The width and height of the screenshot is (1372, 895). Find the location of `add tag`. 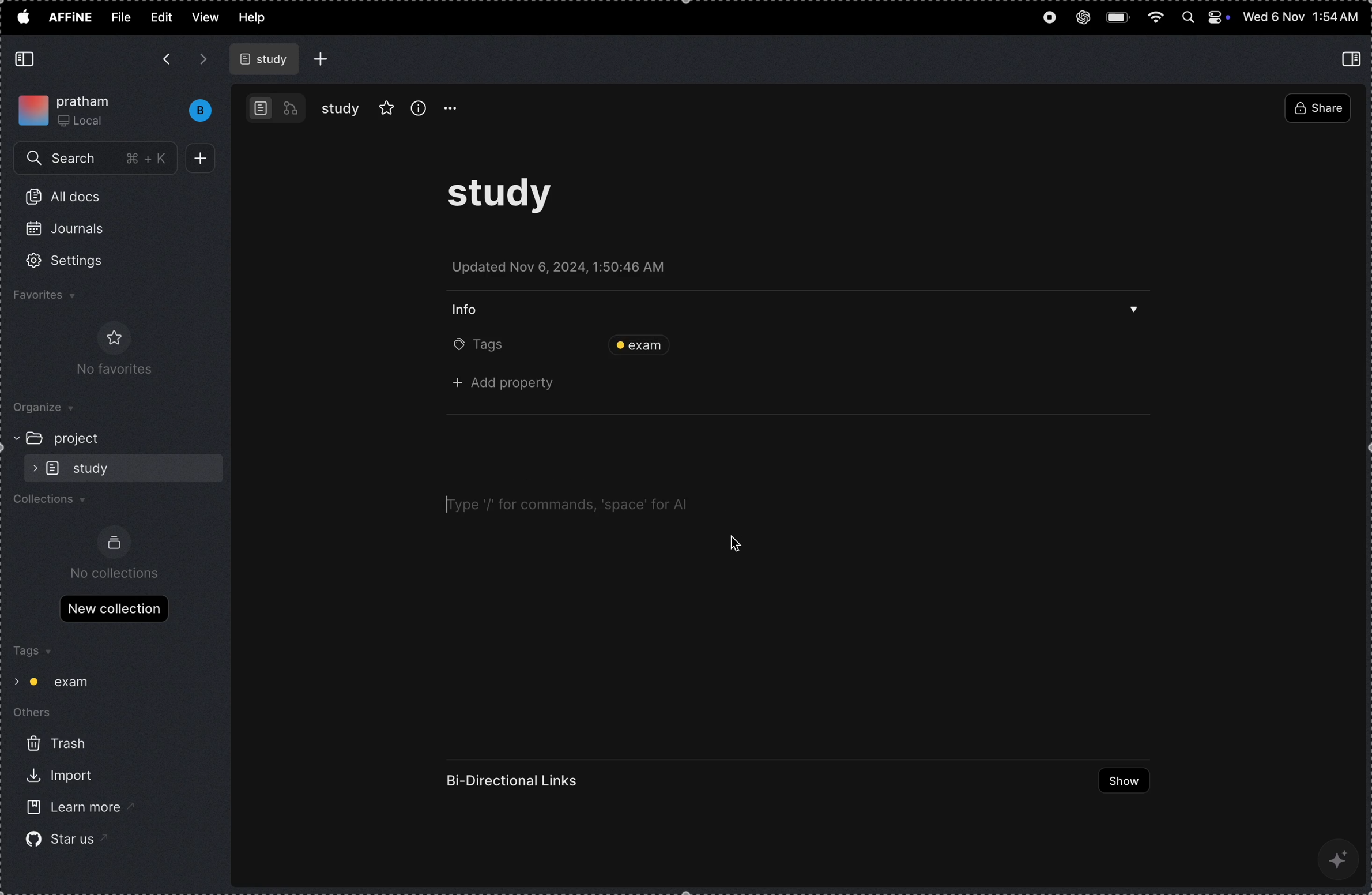

add tag is located at coordinates (876, 344).